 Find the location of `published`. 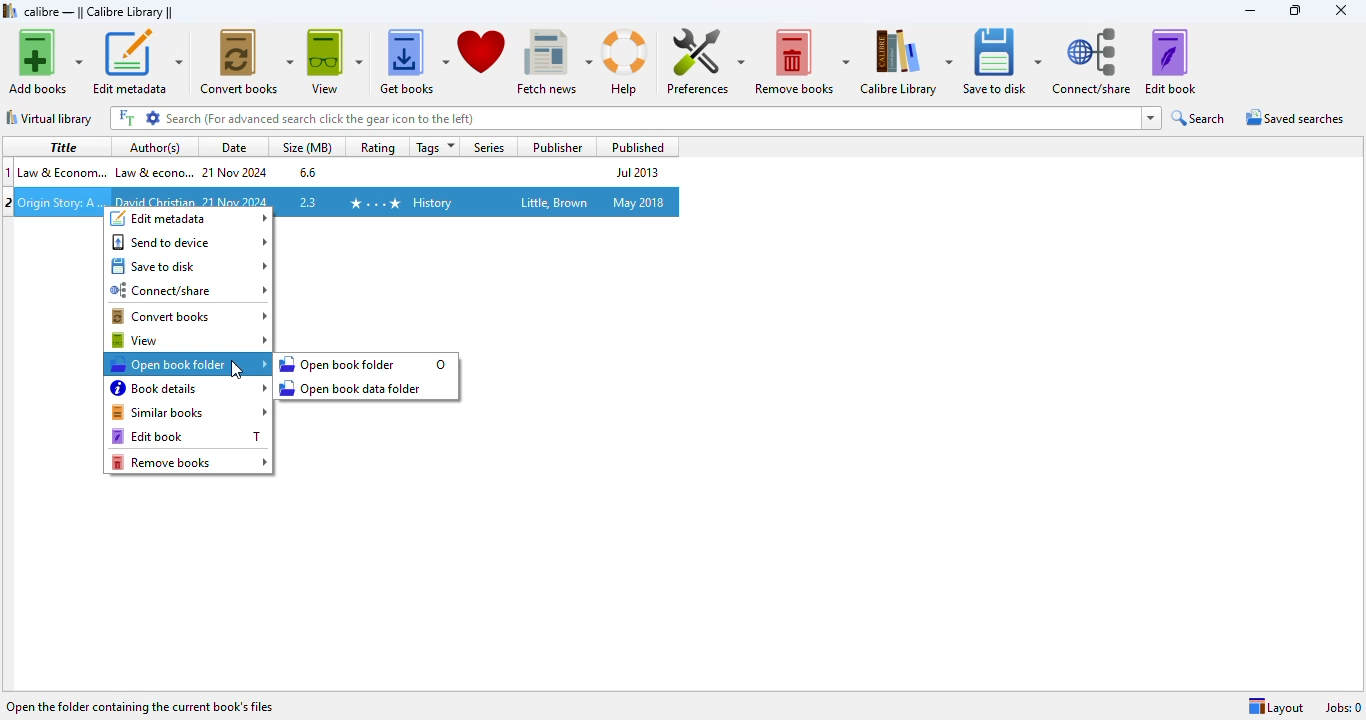

published is located at coordinates (634, 147).